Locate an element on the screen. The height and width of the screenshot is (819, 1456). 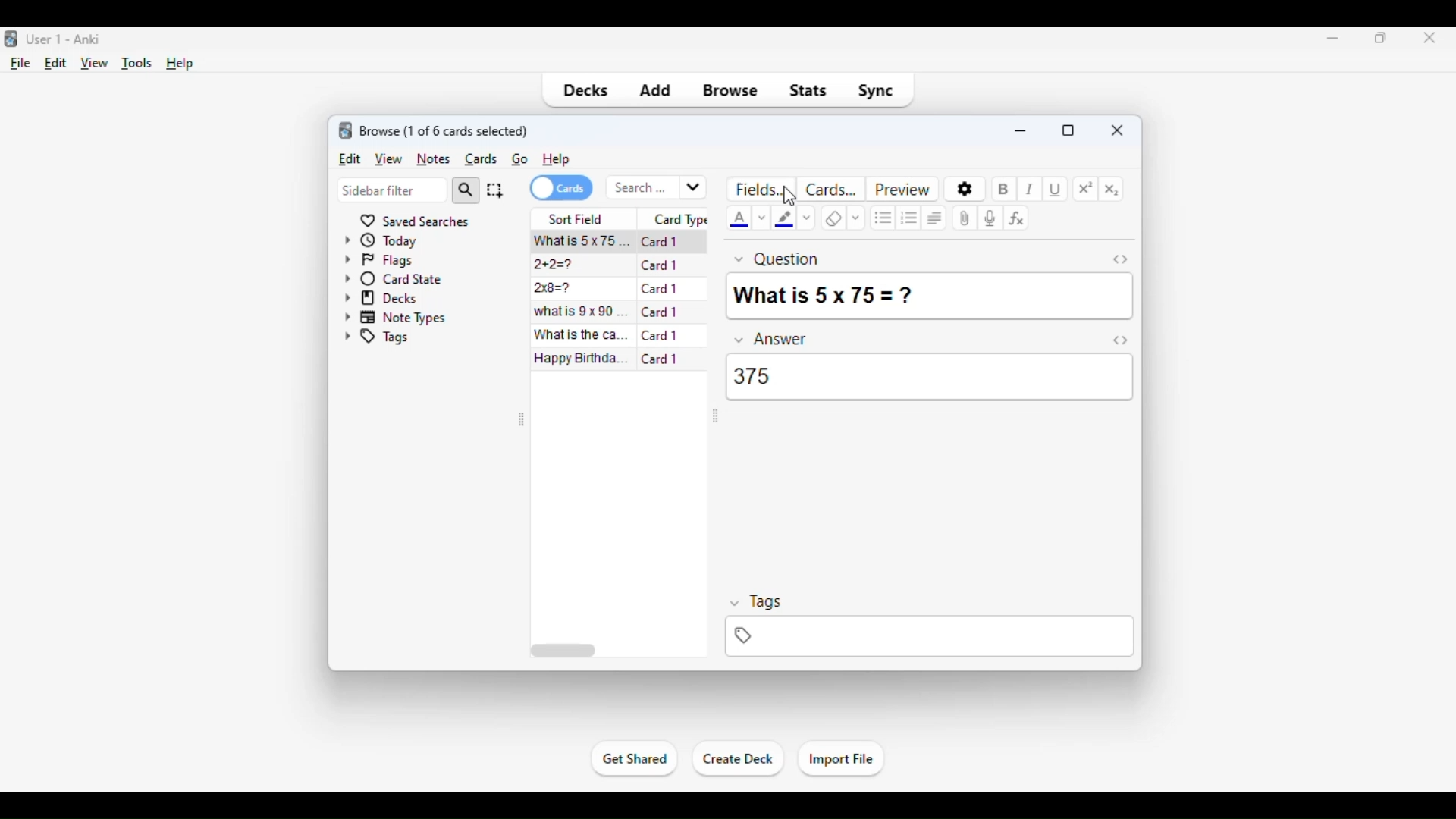
edit is located at coordinates (349, 158).